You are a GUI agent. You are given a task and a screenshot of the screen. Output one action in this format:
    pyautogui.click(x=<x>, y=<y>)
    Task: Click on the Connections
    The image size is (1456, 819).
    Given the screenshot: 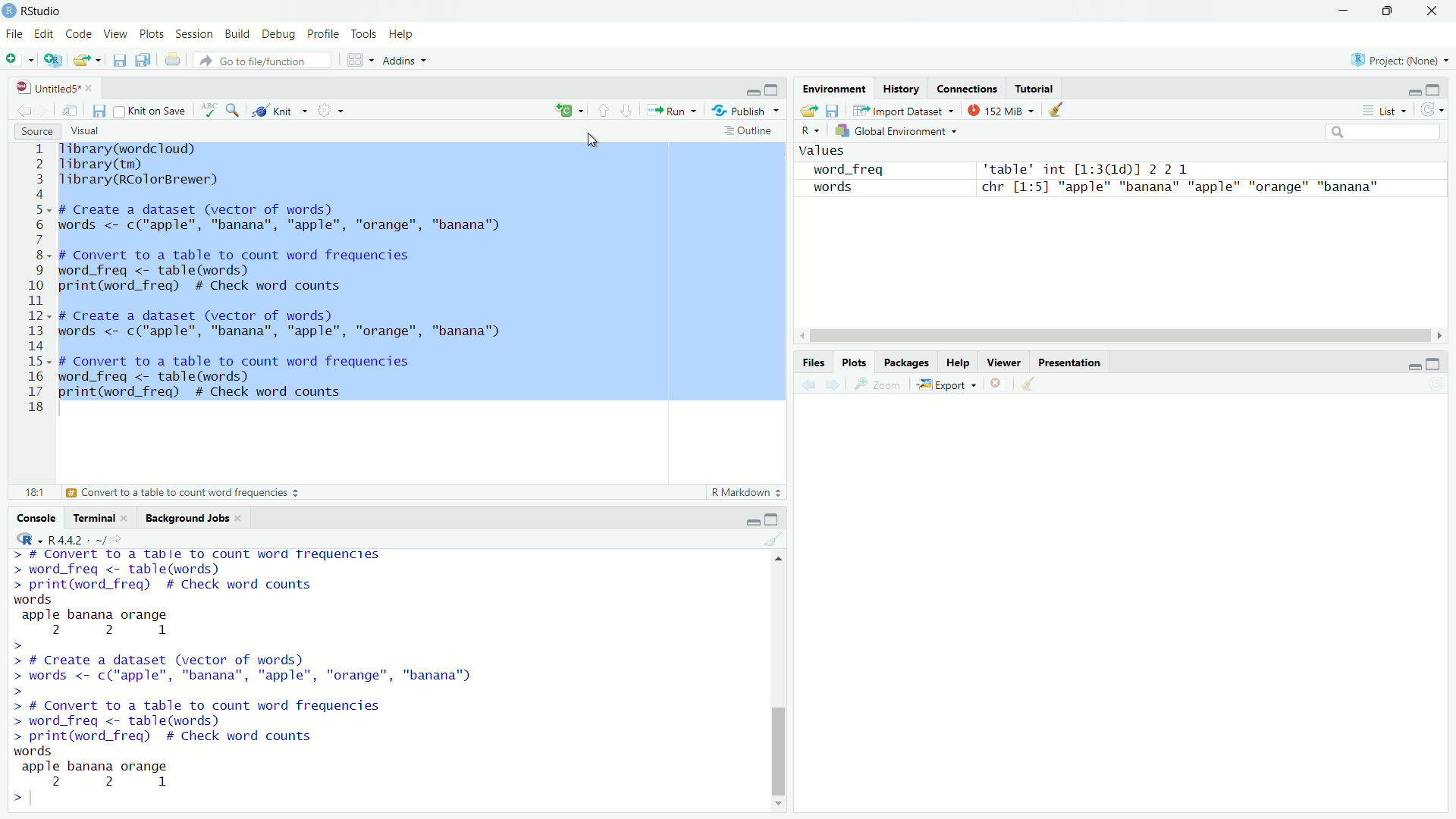 What is the action you would take?
    pyautogui.click(x=969, y=89)
    